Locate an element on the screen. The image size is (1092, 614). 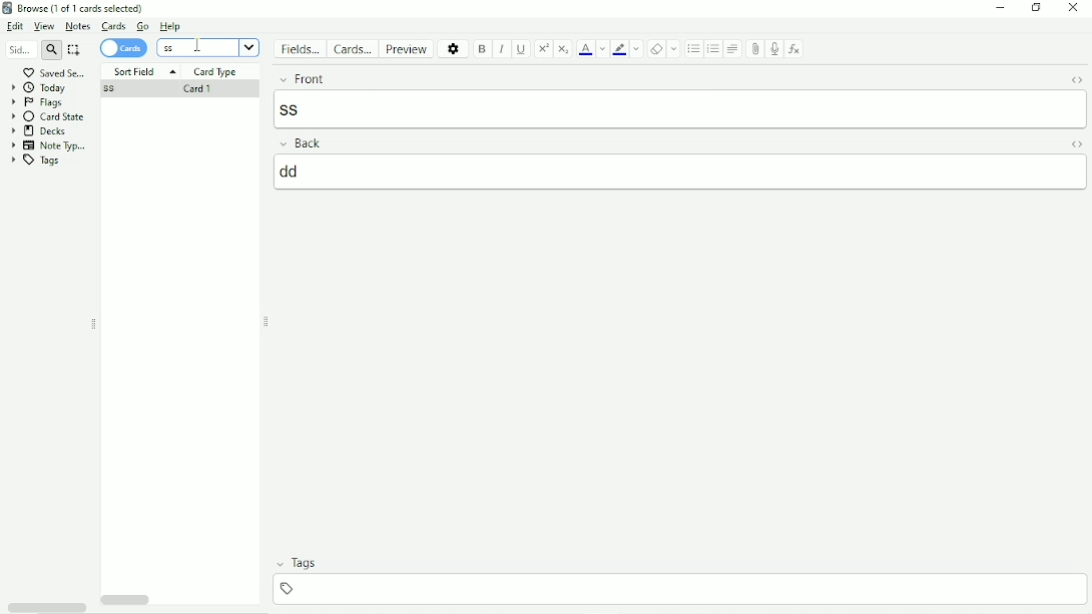
Tags is located at coordinates (679, 564).